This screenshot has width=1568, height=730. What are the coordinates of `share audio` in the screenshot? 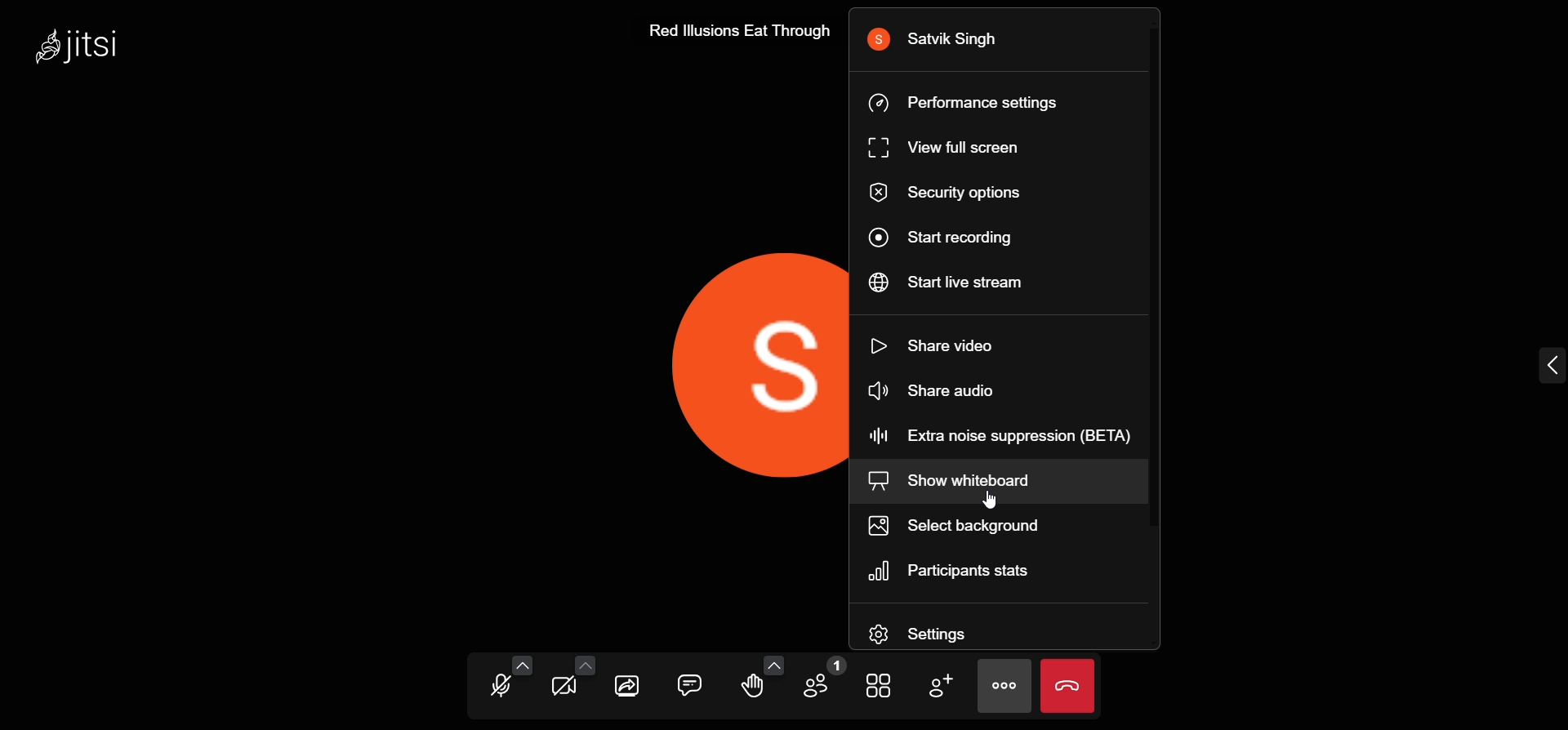 It's located at (944, 390).